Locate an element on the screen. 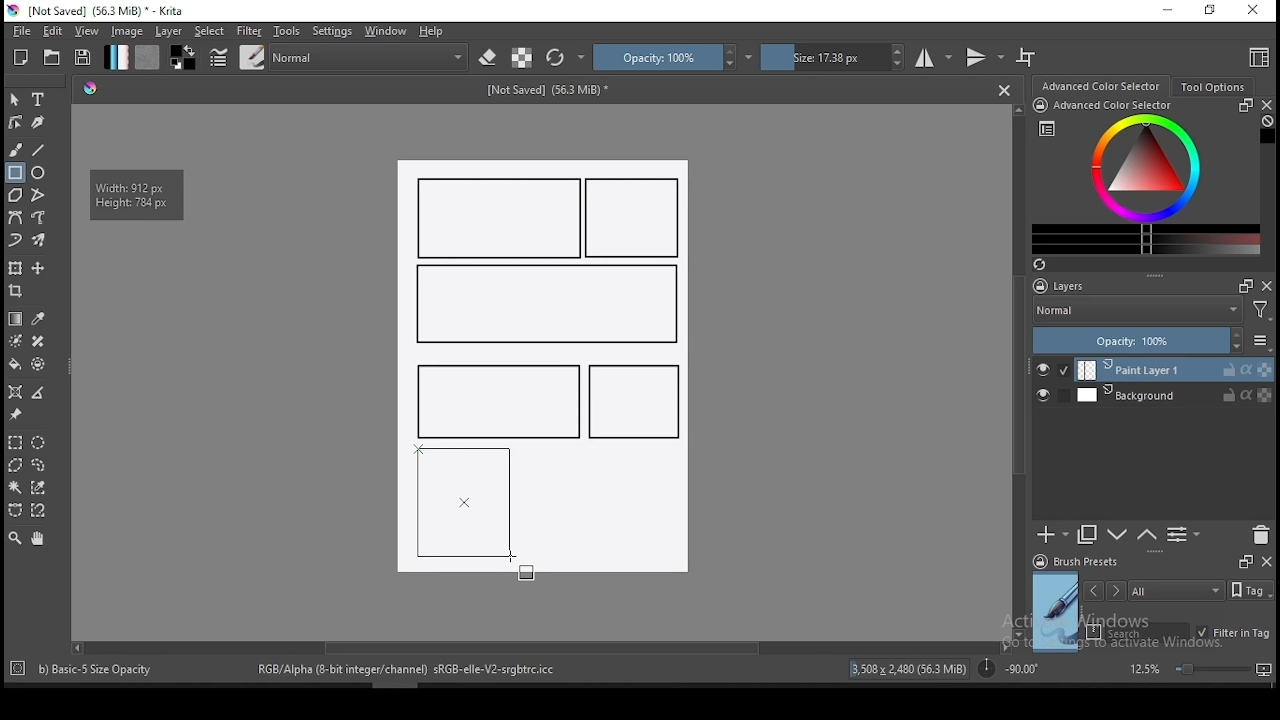 This screenshot has height=720, width=1280. file is located at coordinates (21, 31).